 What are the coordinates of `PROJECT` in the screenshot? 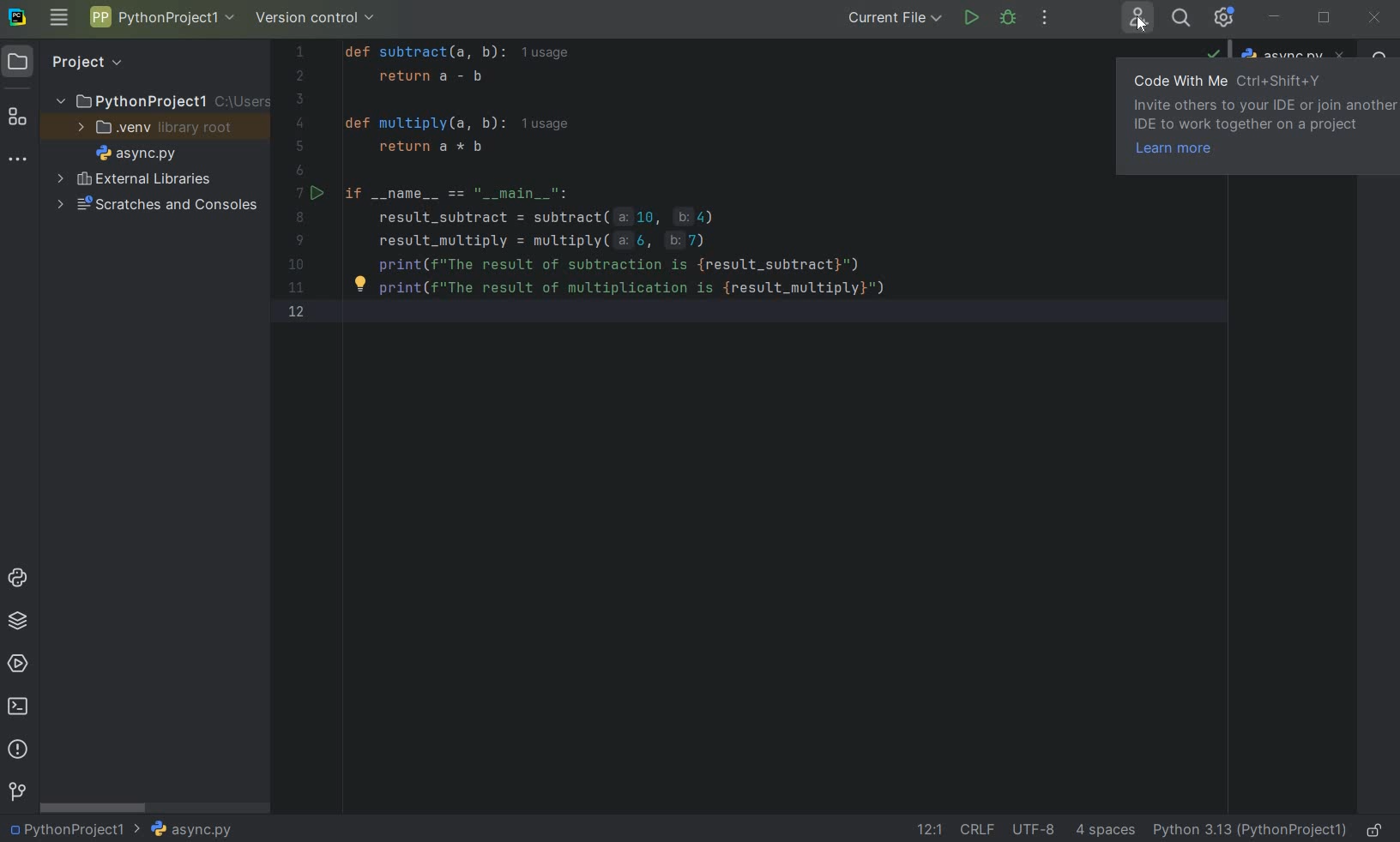 It's located at (73, 62).